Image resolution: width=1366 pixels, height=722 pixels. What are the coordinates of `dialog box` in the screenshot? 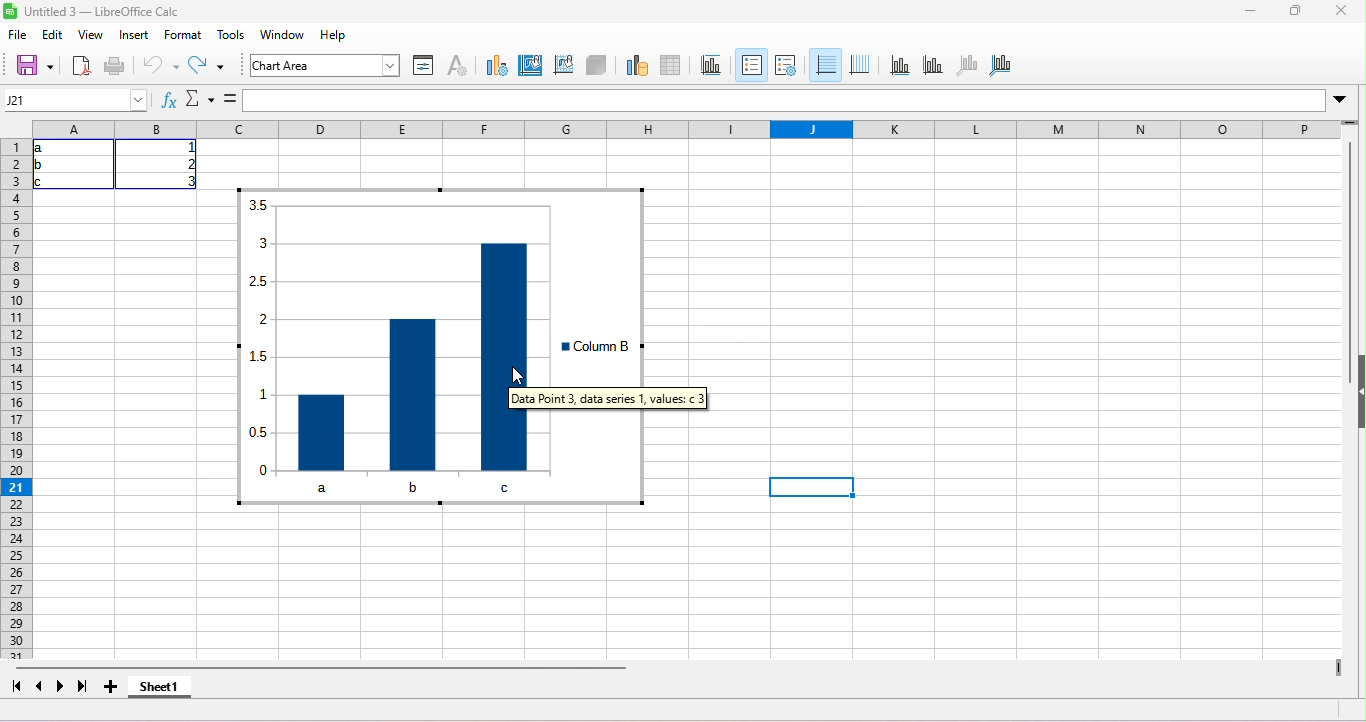 It's located at (614, 397).